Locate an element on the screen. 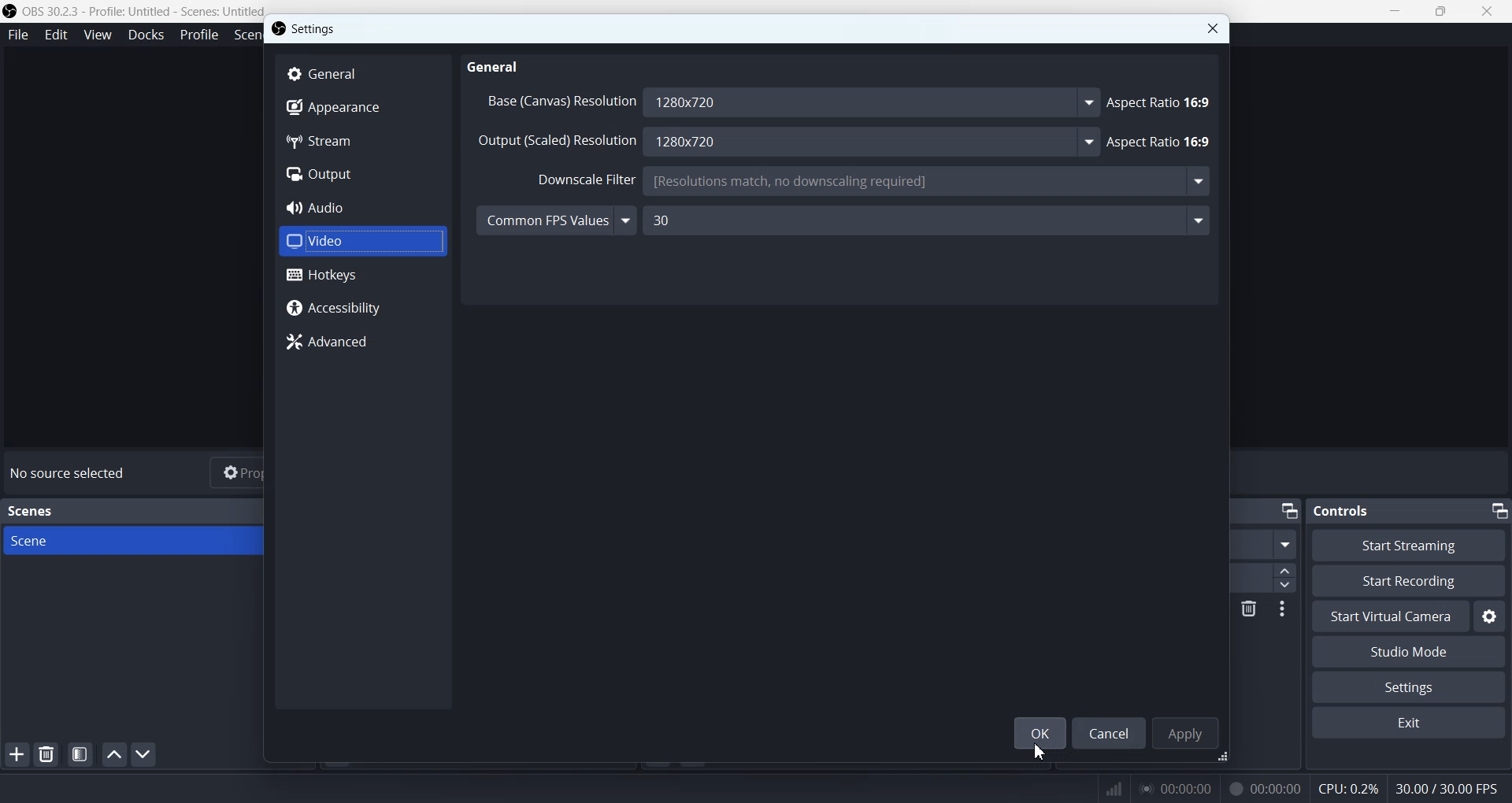  Exit is located at coordinates (1409, 723).